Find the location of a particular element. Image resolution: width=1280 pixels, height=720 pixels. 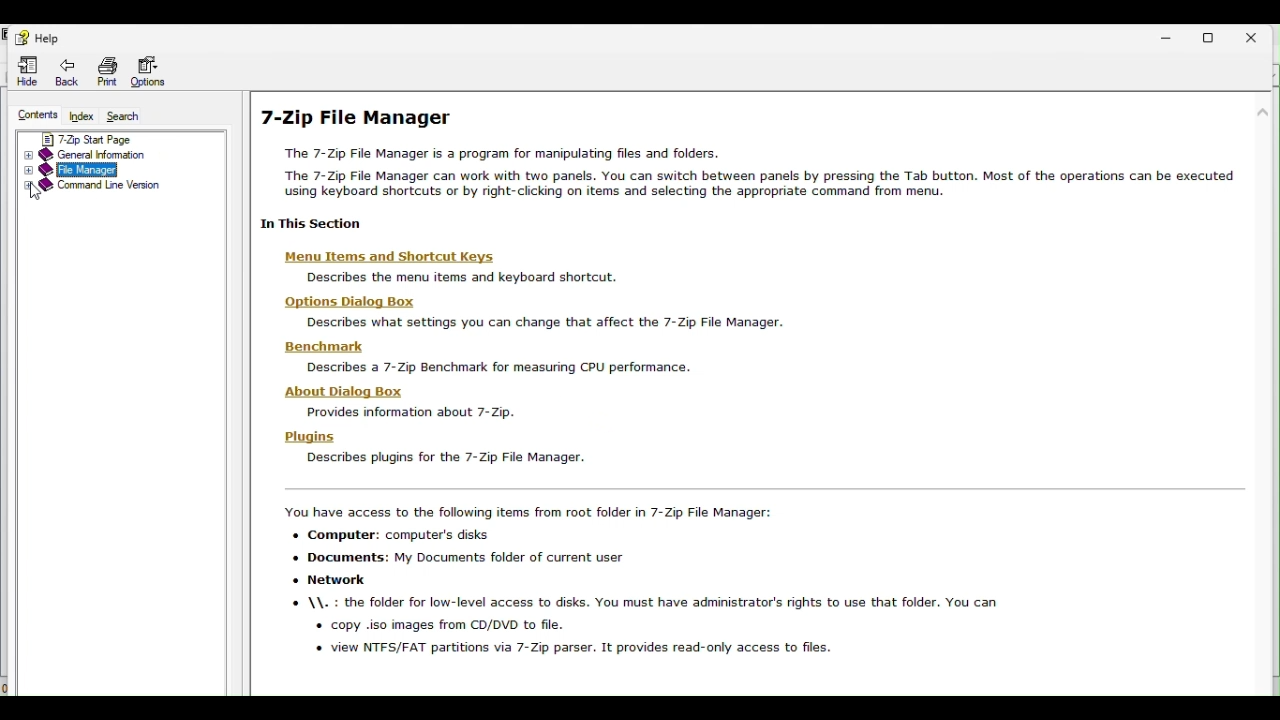

Command line version is located at coordinates (109, 192).